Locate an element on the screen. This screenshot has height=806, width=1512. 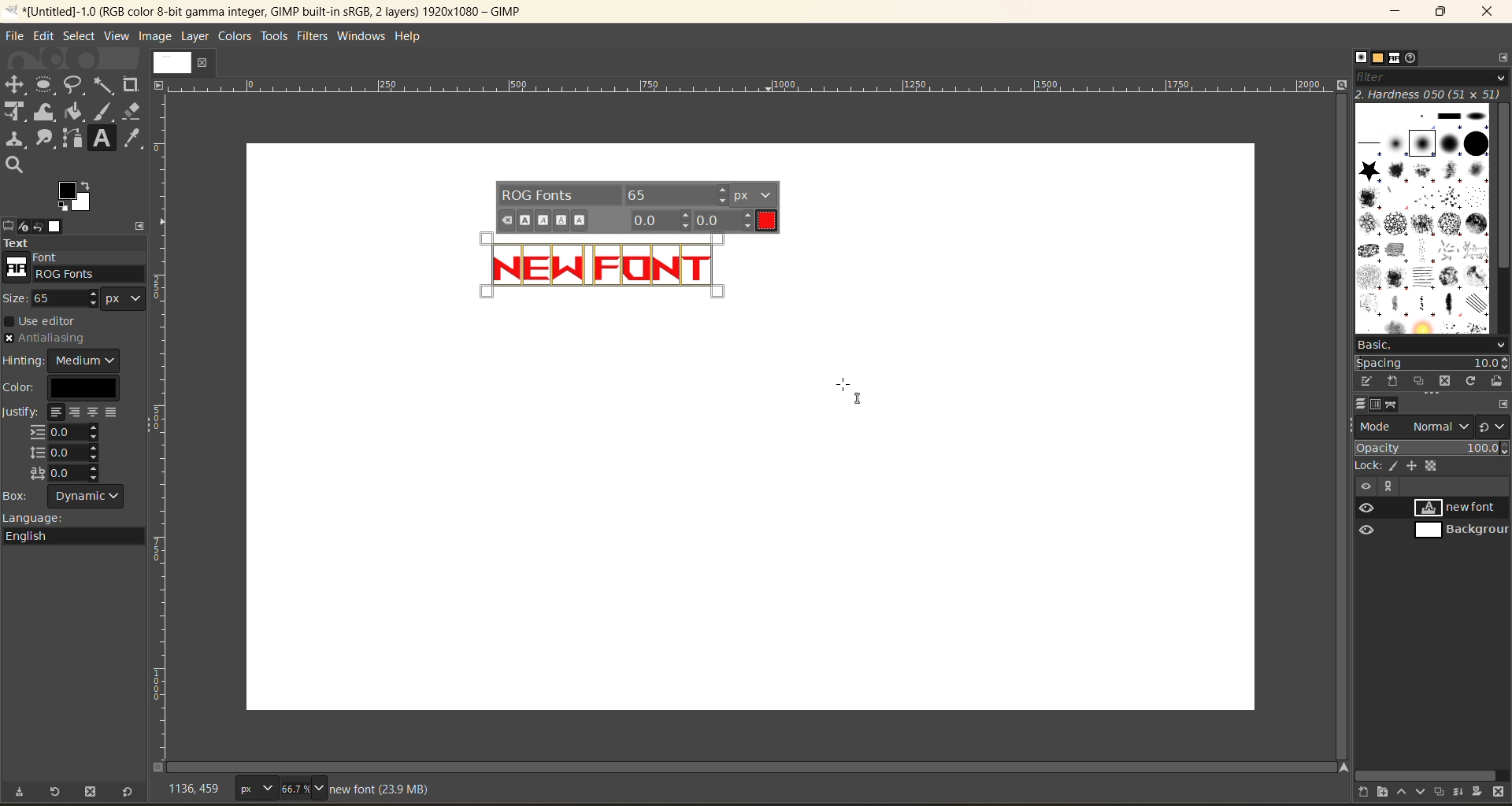
vertical scroll bar is located at coordinates (1340, 426).